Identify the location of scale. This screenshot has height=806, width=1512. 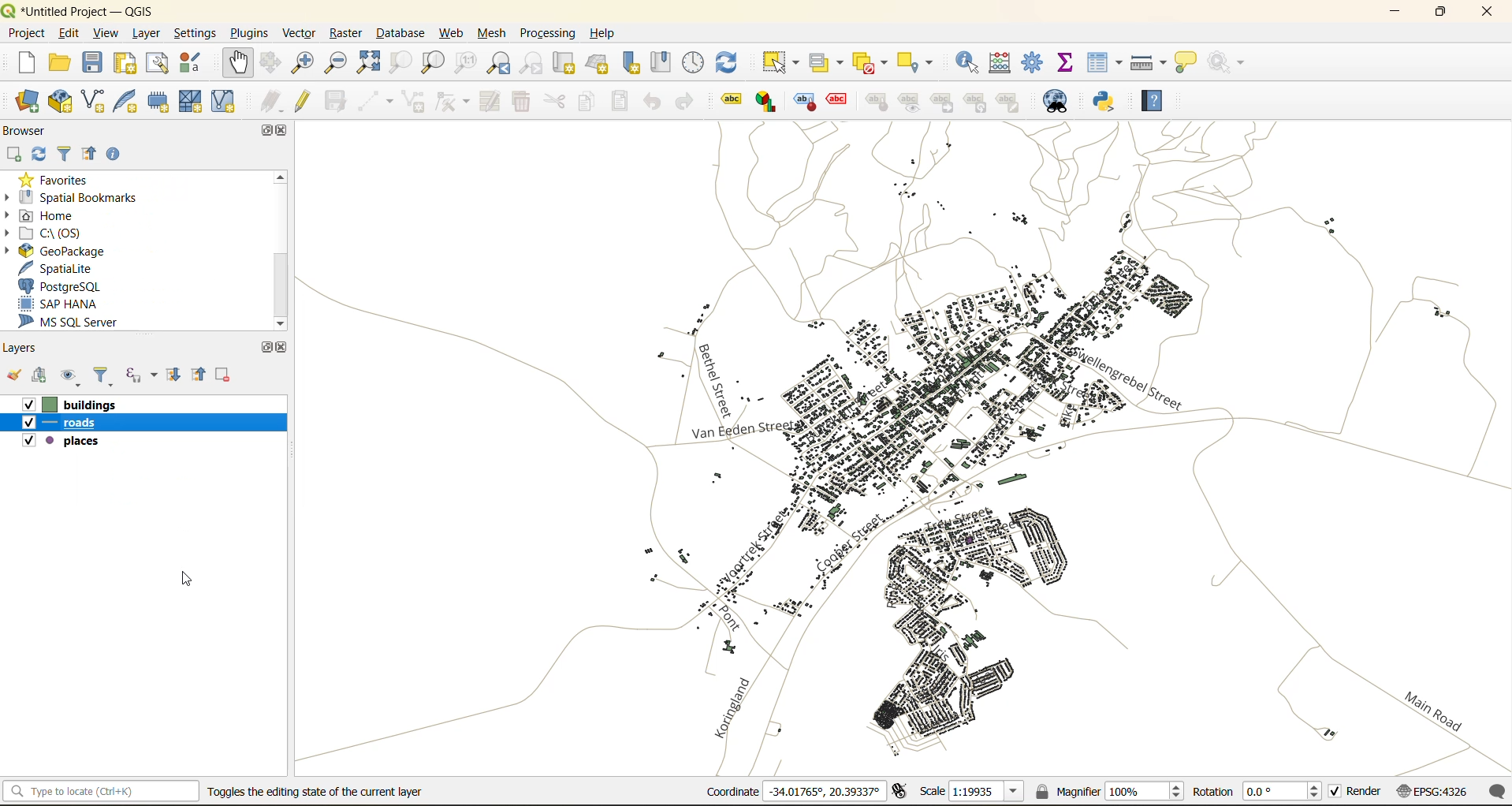
(975, 792).